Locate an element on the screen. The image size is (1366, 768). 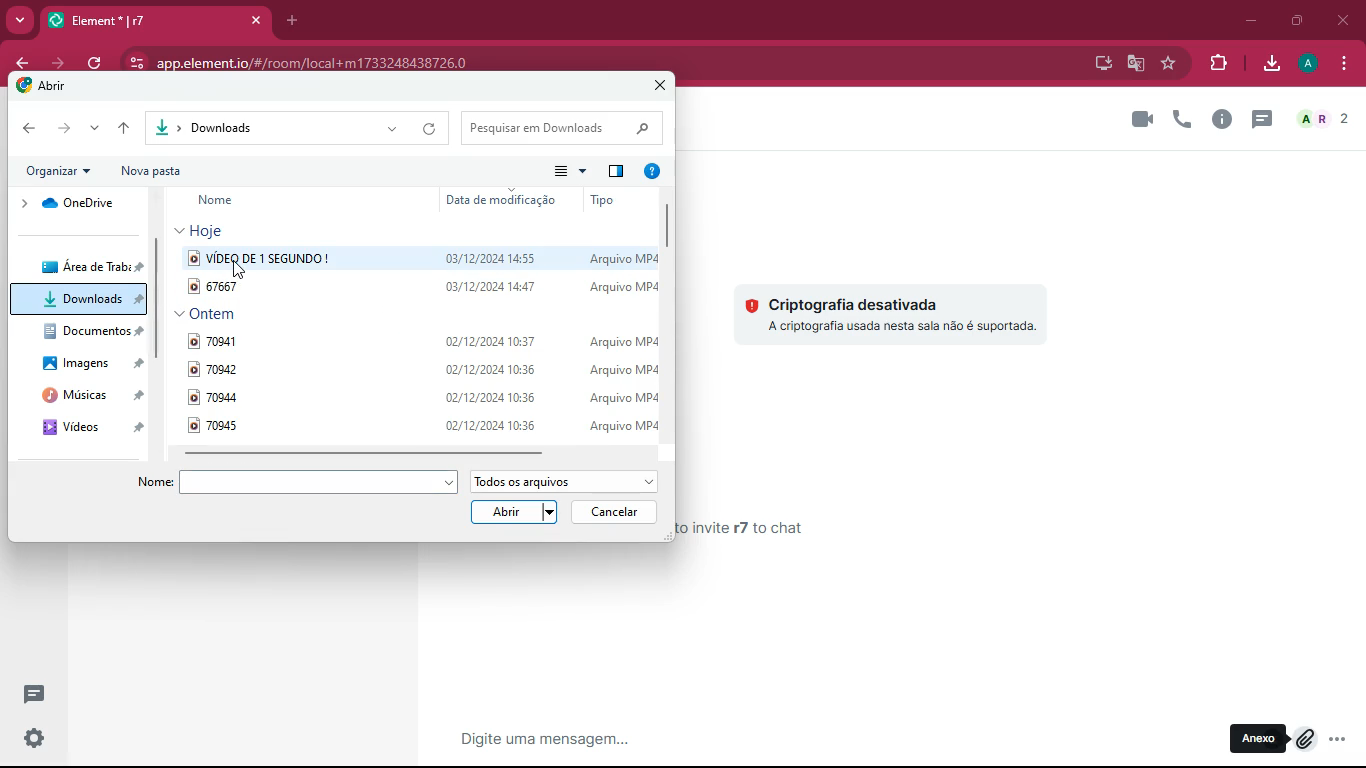
onedrive is located at coordinates (79, 203).